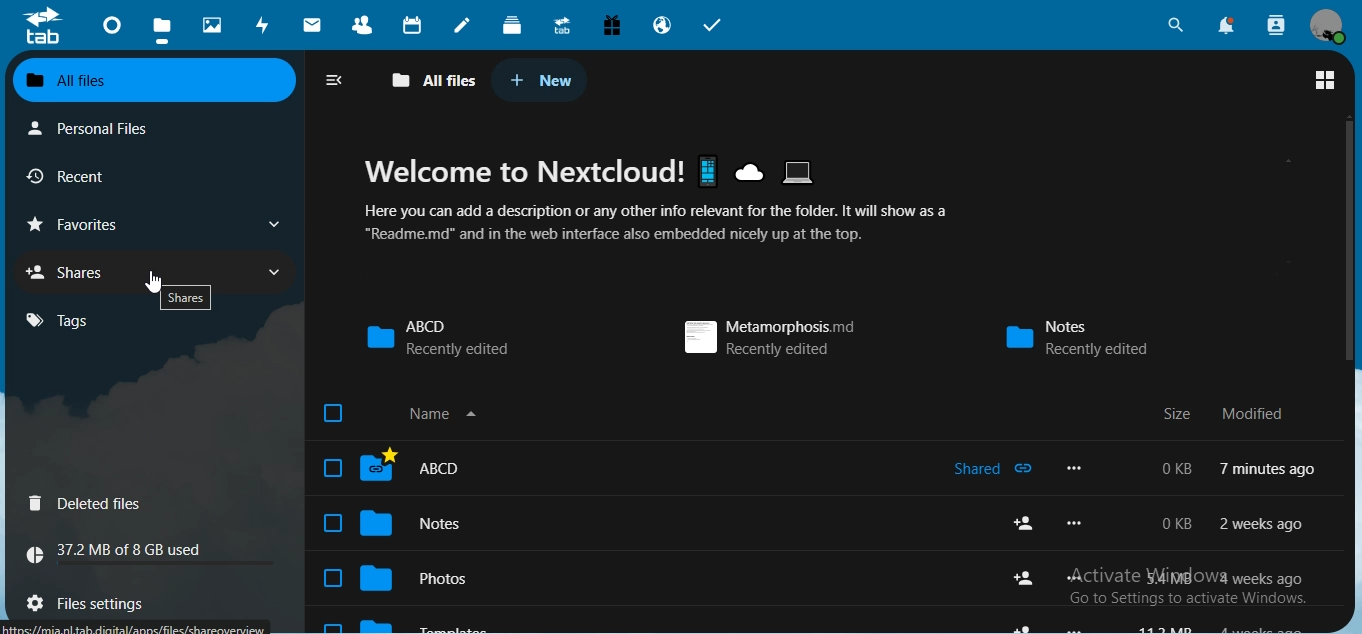 The image size is (1362, 634). I want to click on ext, so click(1228, 408).